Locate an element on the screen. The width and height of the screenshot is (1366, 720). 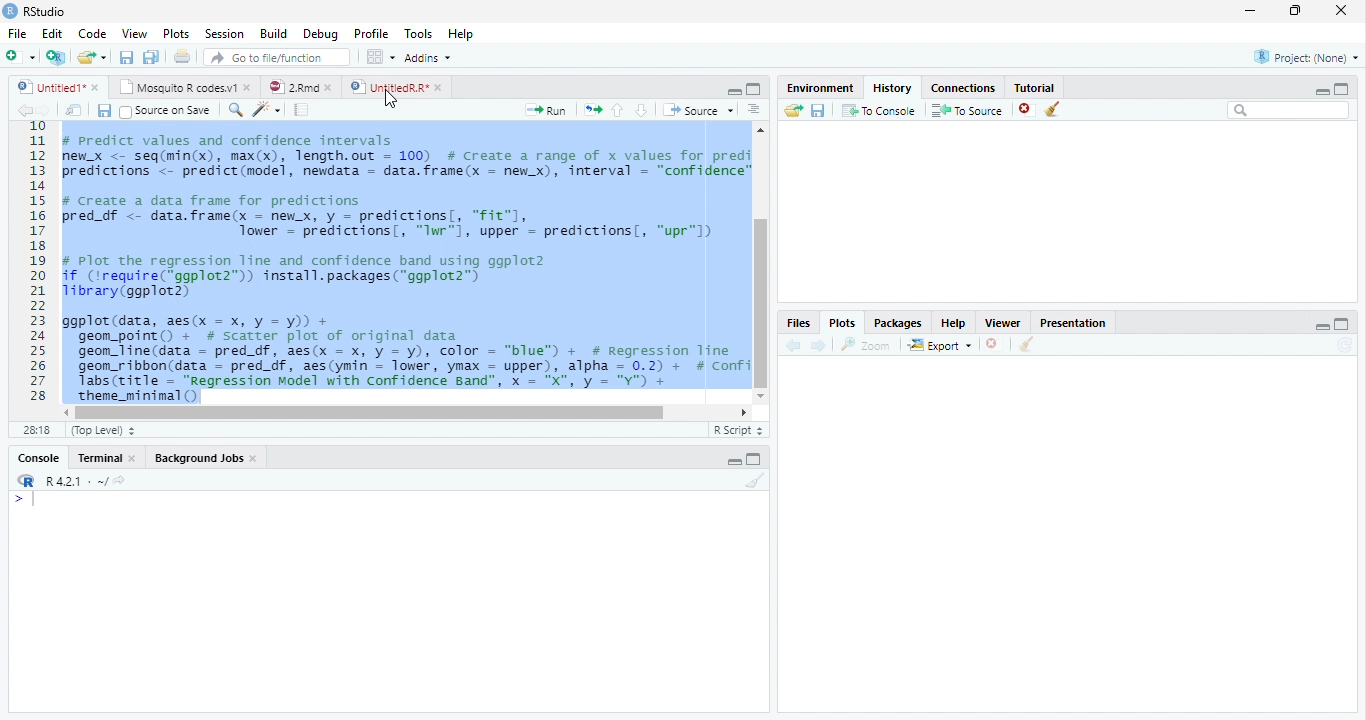
Maximize is located at coordinates (756, 89).